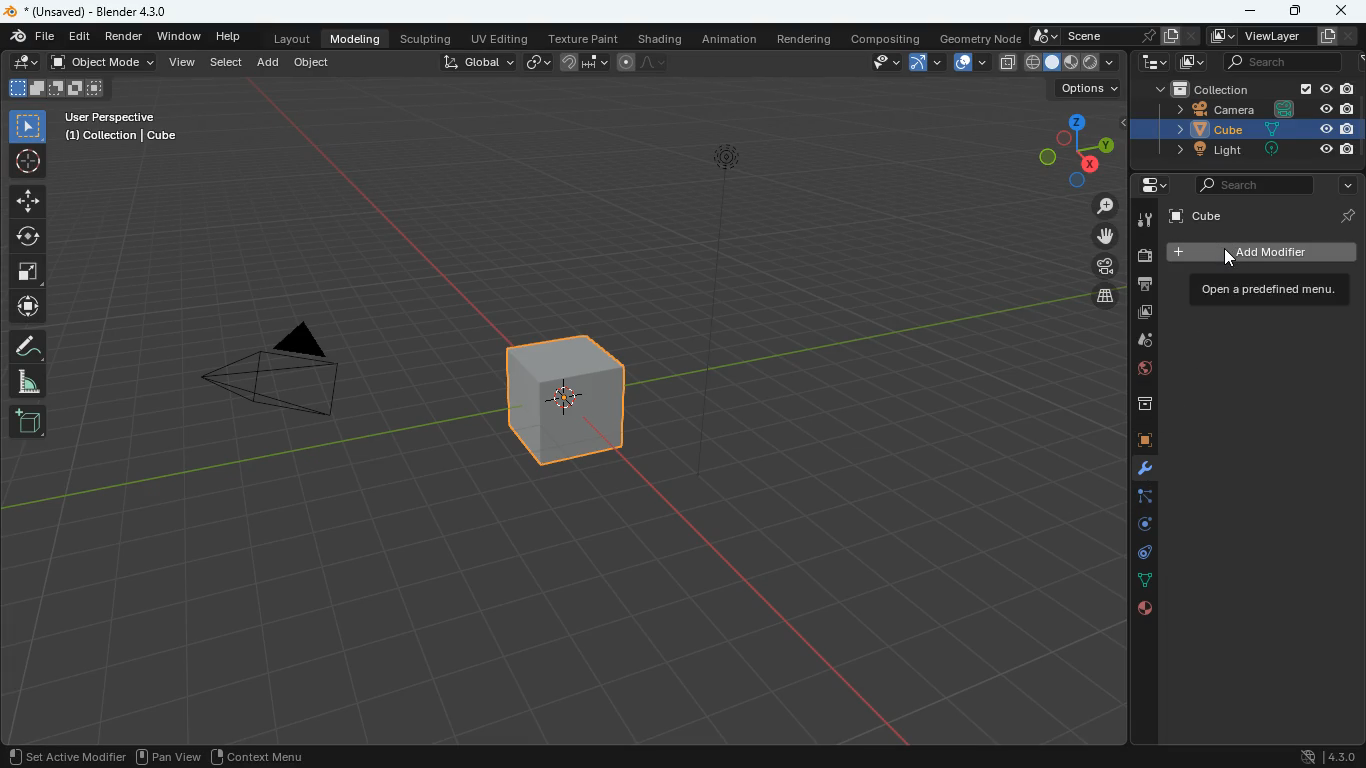 Image resolution: width=1366 pixels, height=768 pixels. I want to click on layout, so click(293, 37).